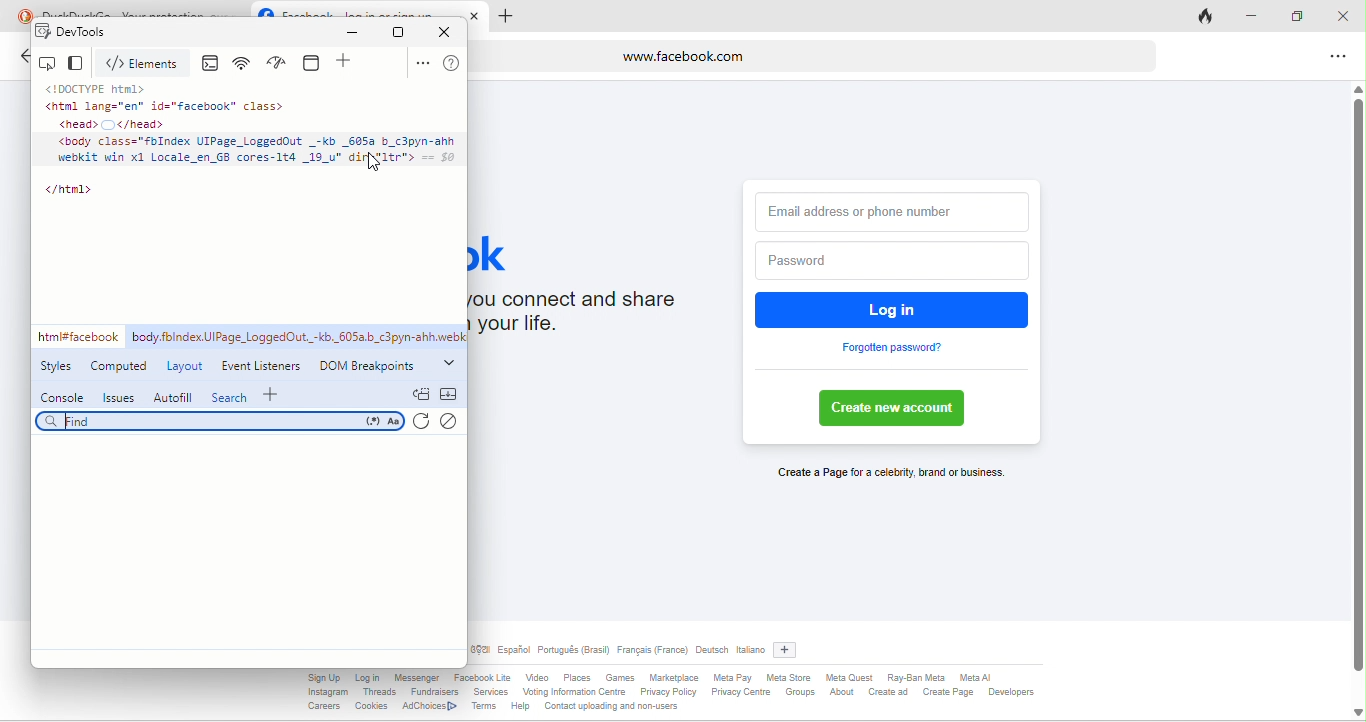 This screenshot has width=1366, height=722. Describe the element at coordinates (315, 62) in the screenshot. I see `application` at that location.